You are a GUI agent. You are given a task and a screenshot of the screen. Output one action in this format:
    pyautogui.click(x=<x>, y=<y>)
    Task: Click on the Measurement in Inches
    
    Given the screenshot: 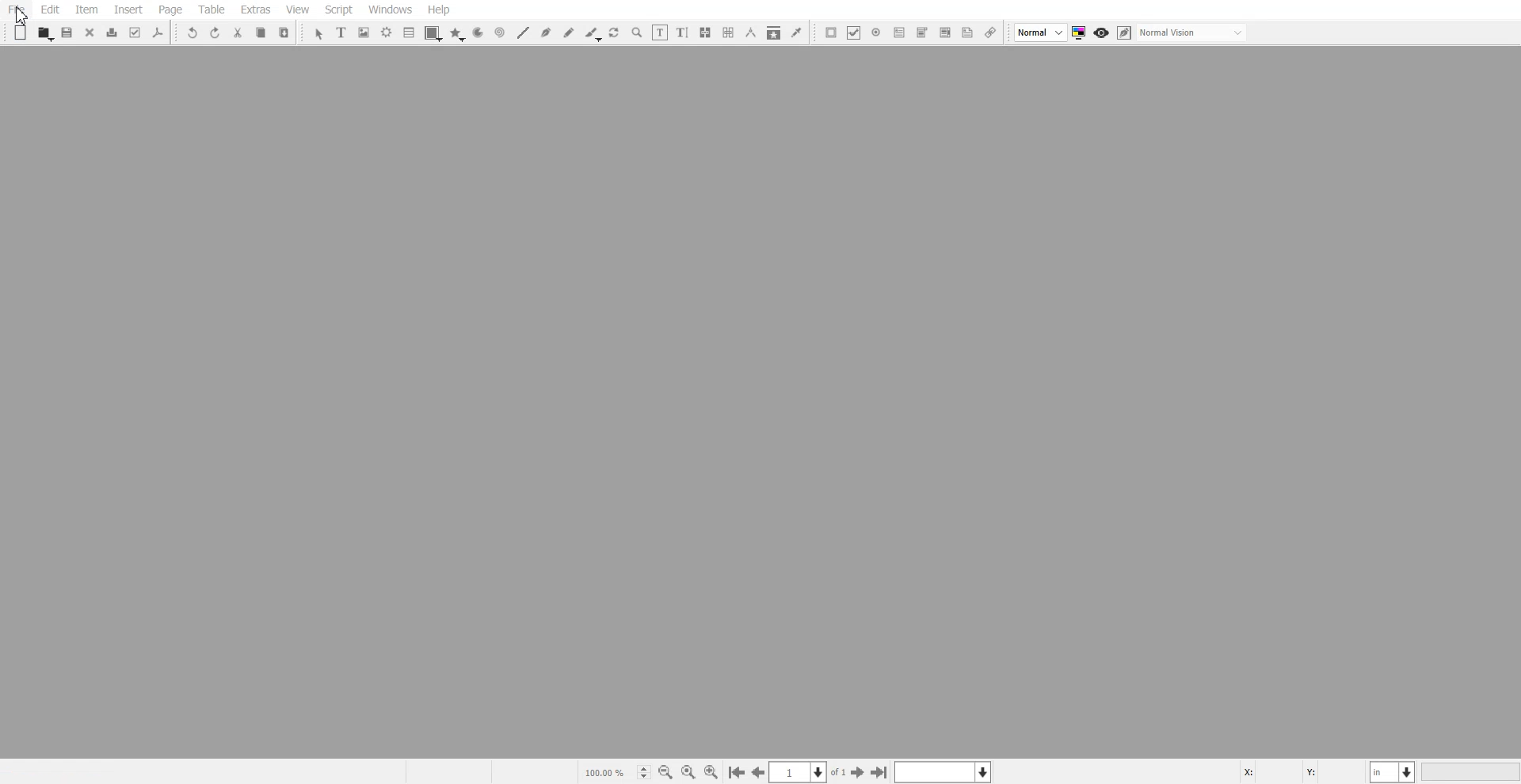 What is the action you would take?
    pyautogui.click(x=1393, y=771)
    